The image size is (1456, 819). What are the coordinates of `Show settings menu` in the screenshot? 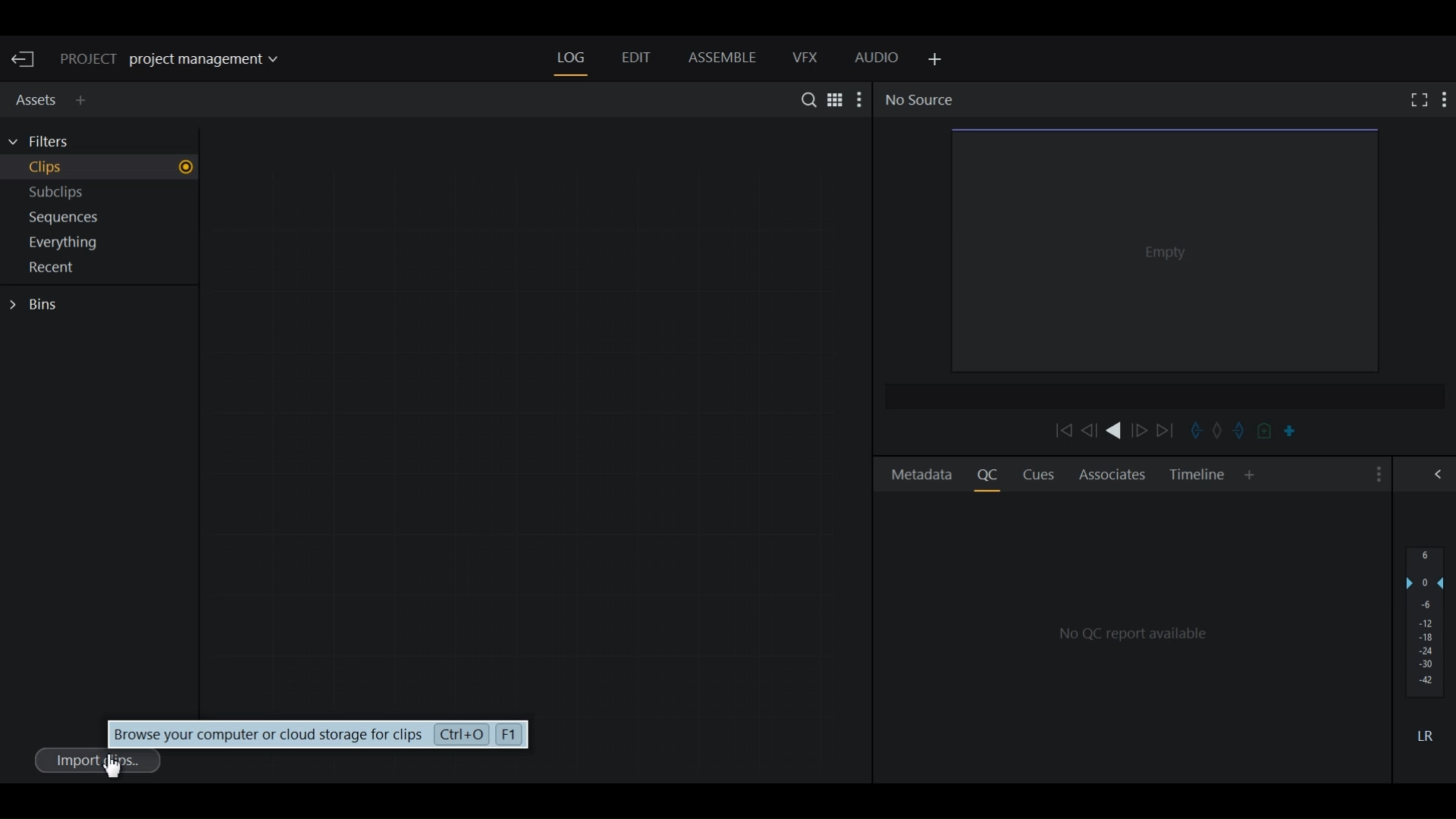 It's located at (861, 99).